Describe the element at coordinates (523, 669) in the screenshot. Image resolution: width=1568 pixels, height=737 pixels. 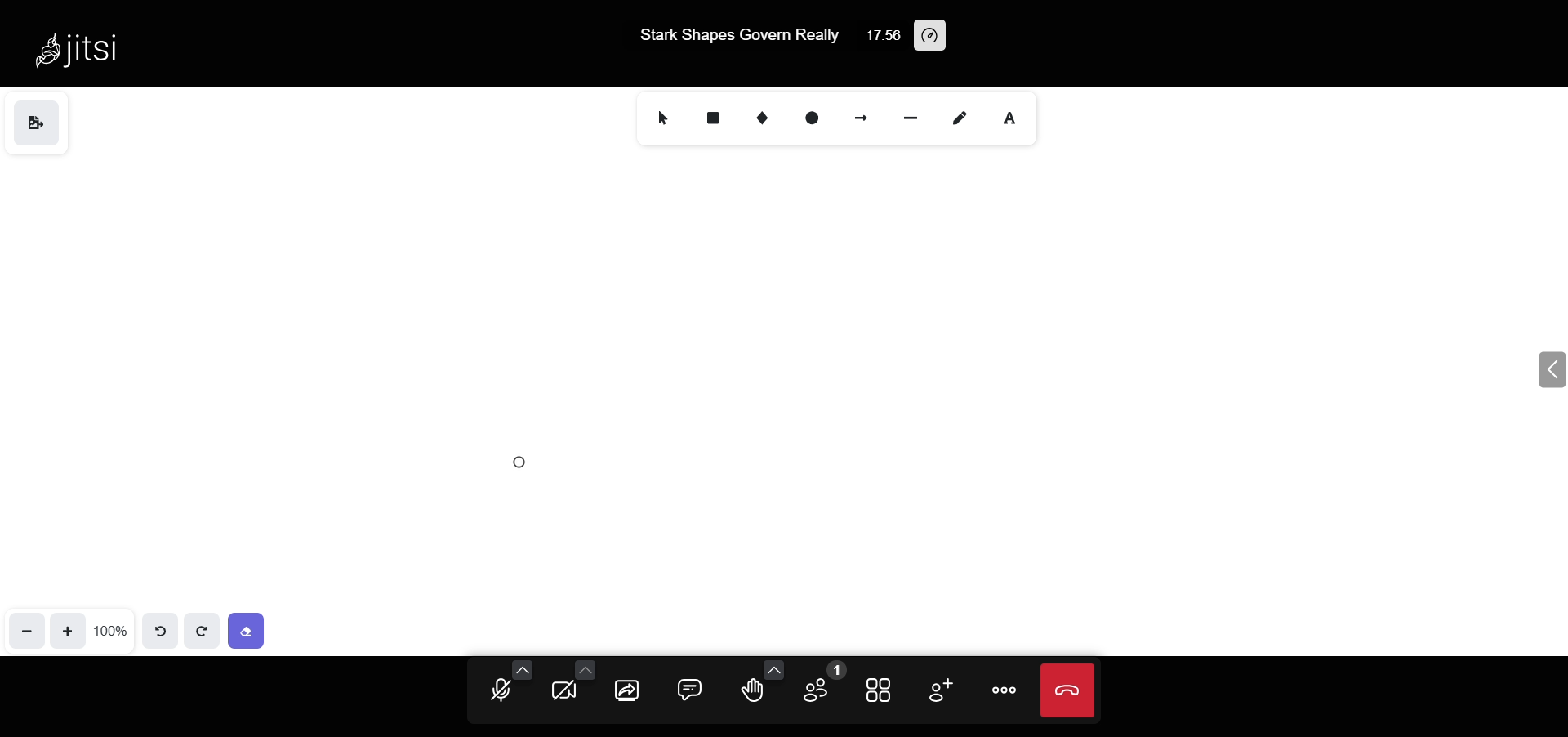
I see `more audio option` at that location.